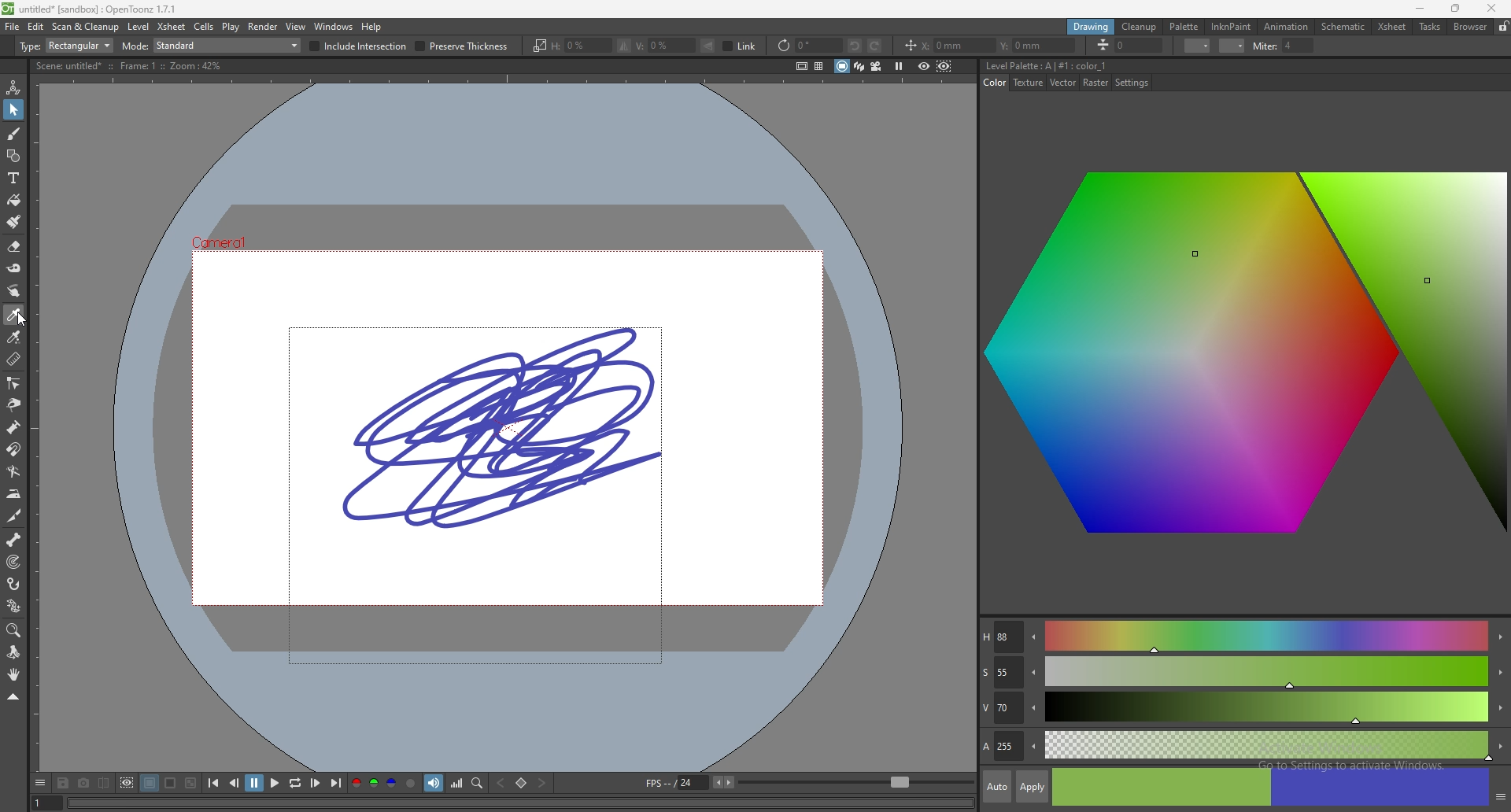 The image size is (1511, 812). I want to click on value, so click(1244, 709).